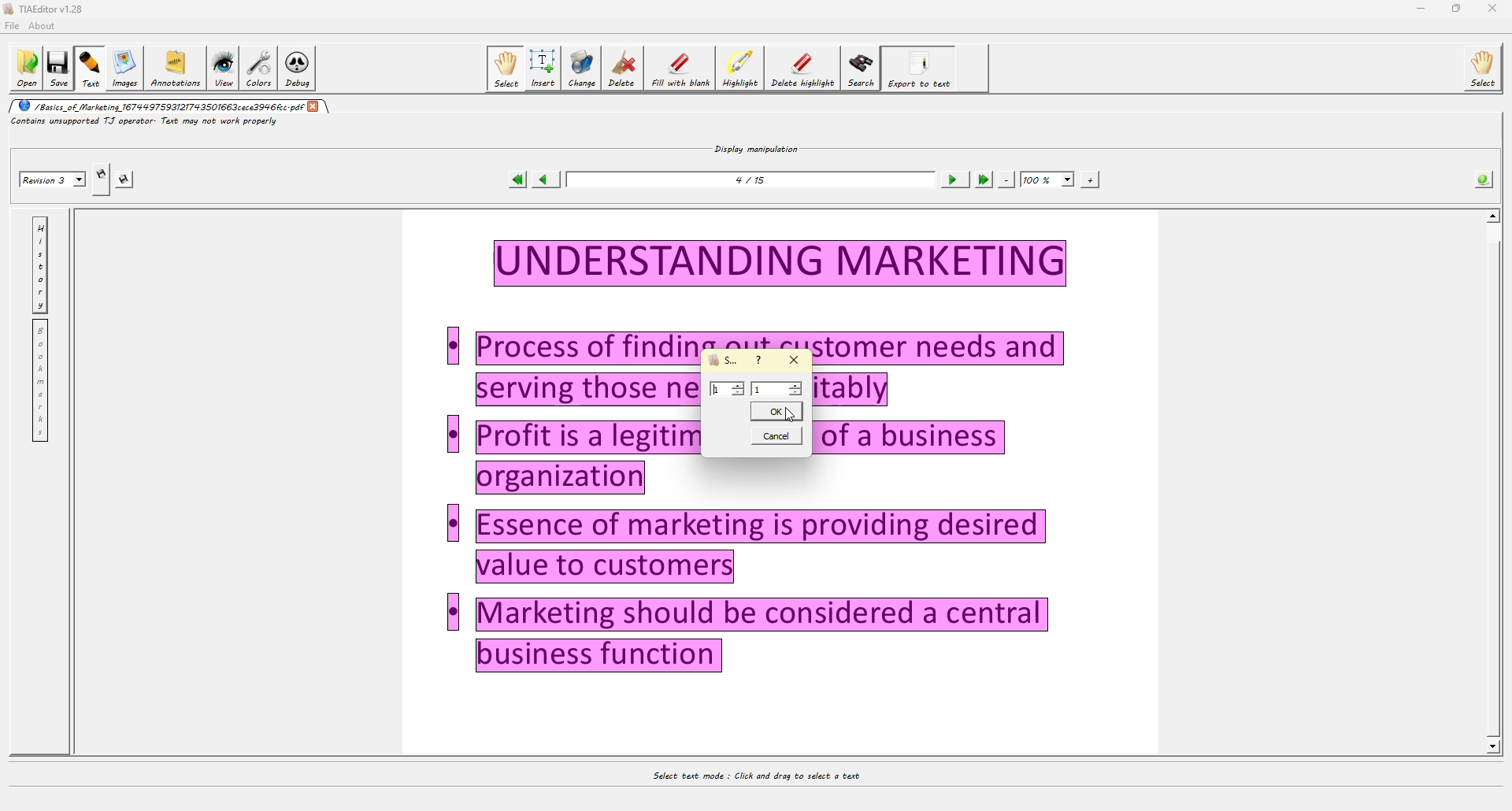 This screenshot has width=1512, height=811. Describe the element at coordinates (754, 146) in the screenshot. I see `display manipulation` at that location.